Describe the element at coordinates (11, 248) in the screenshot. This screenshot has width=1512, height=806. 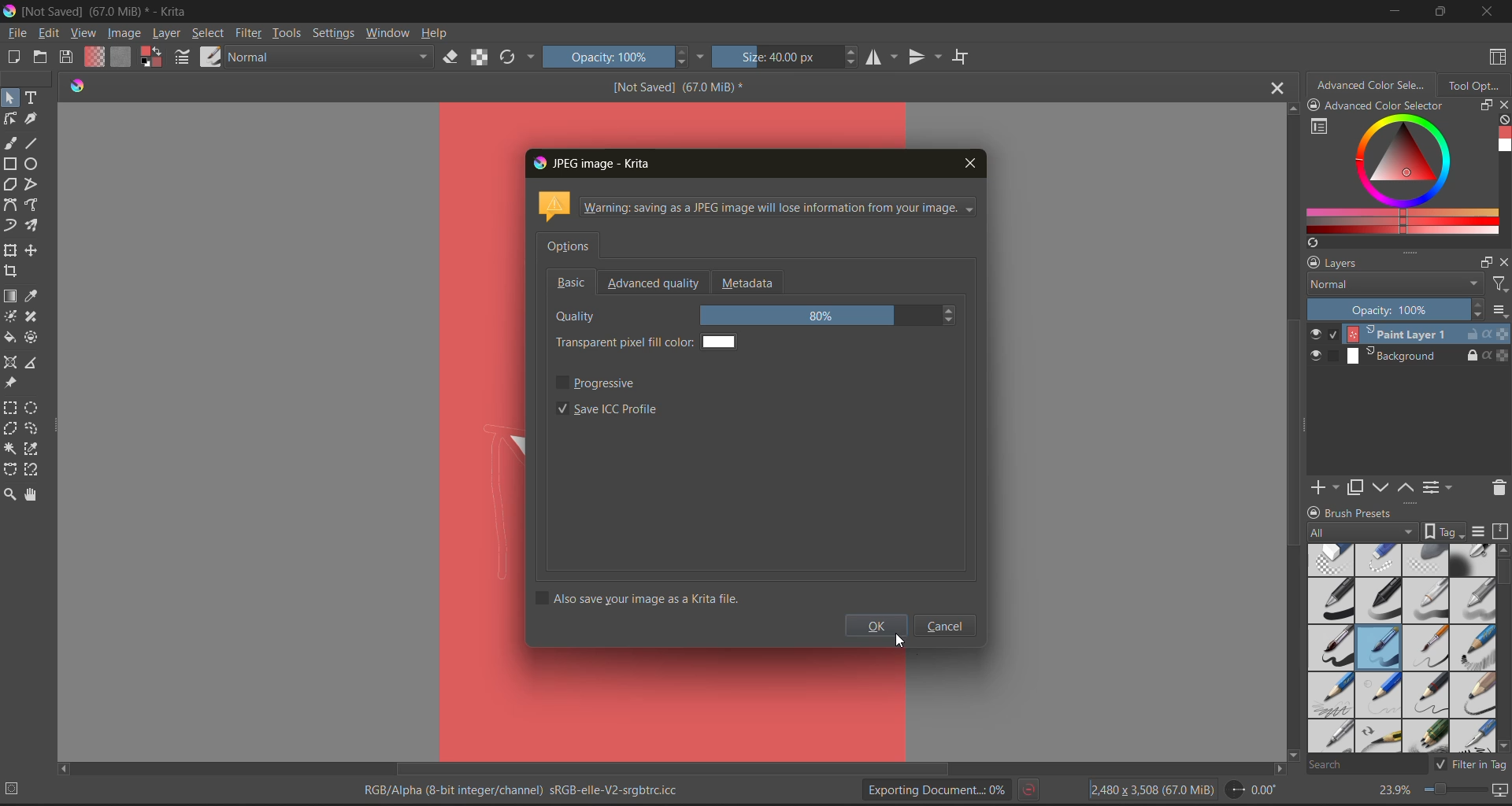
I see `tools` at that location.